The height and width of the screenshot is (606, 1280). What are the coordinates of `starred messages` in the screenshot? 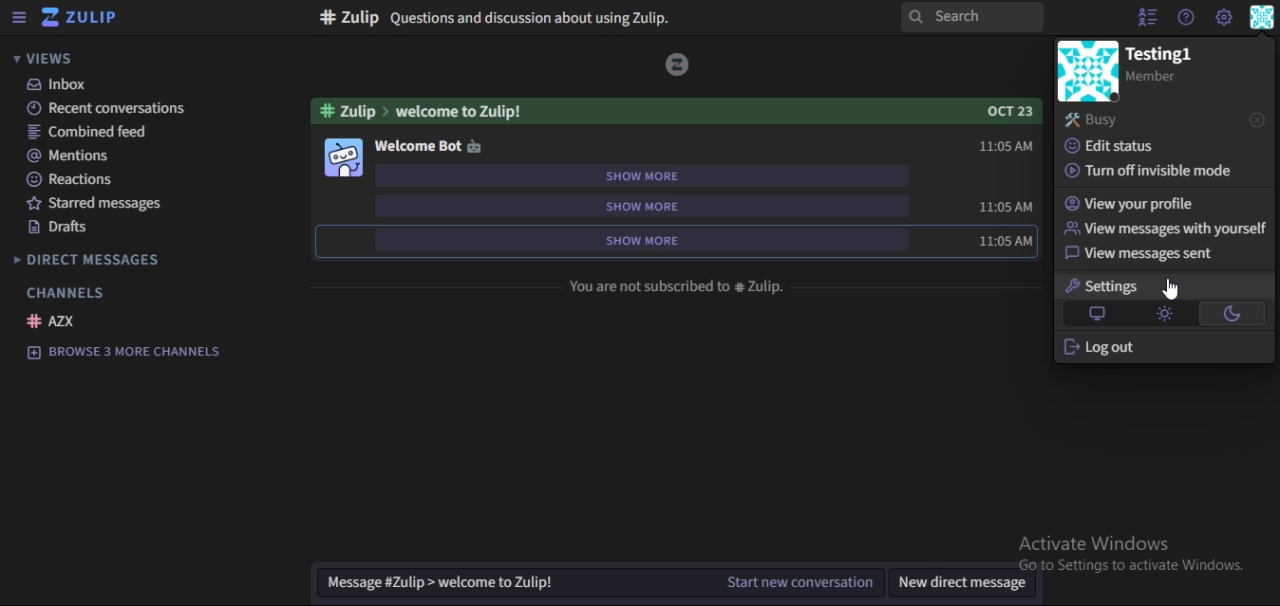 It's located at (100, 204).